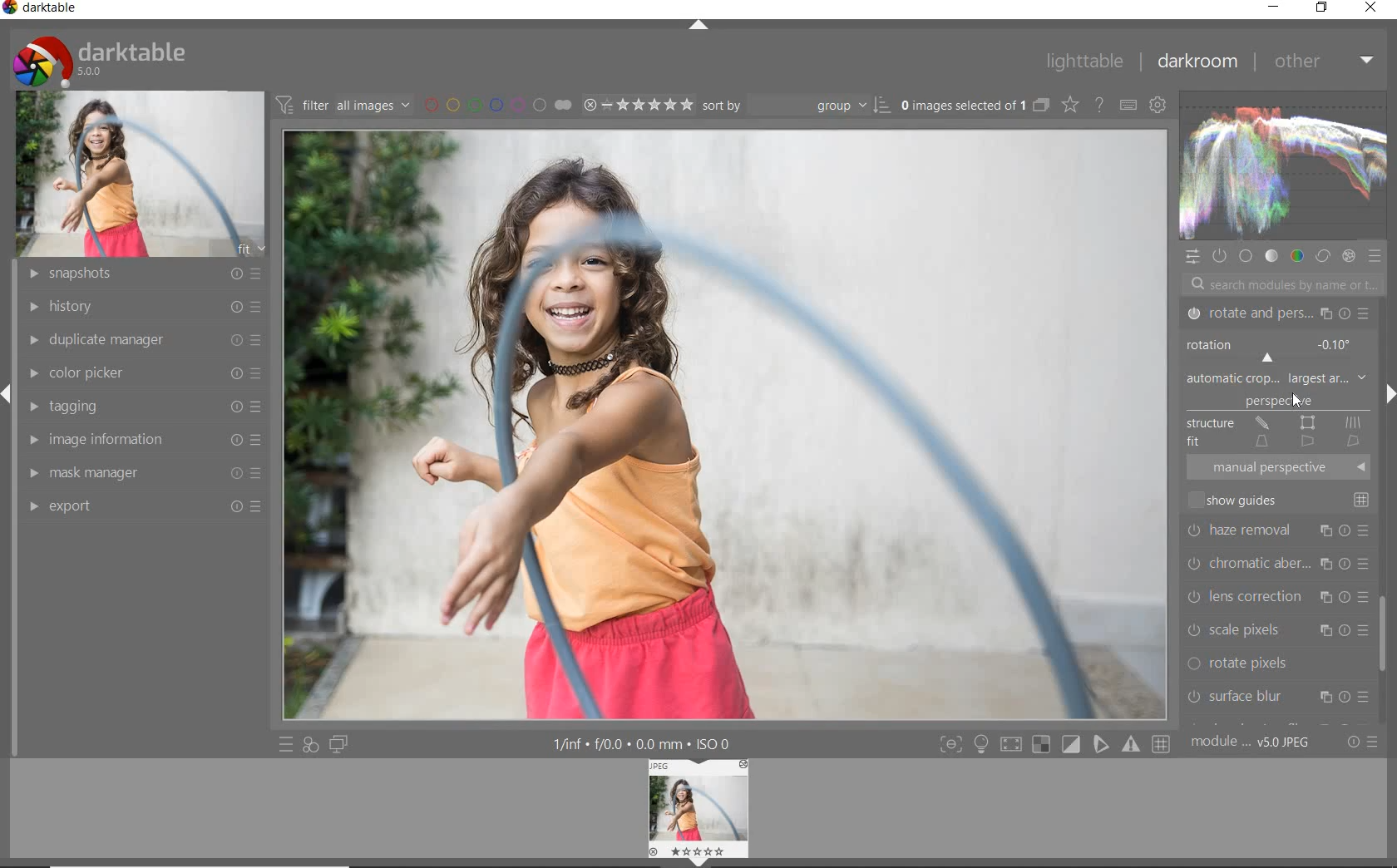  Describe the element at coordinates (1277, 379) in the screenshot. I see `AUTOMATIC CROPPING SET FOR LARGEST AREA` at that location.